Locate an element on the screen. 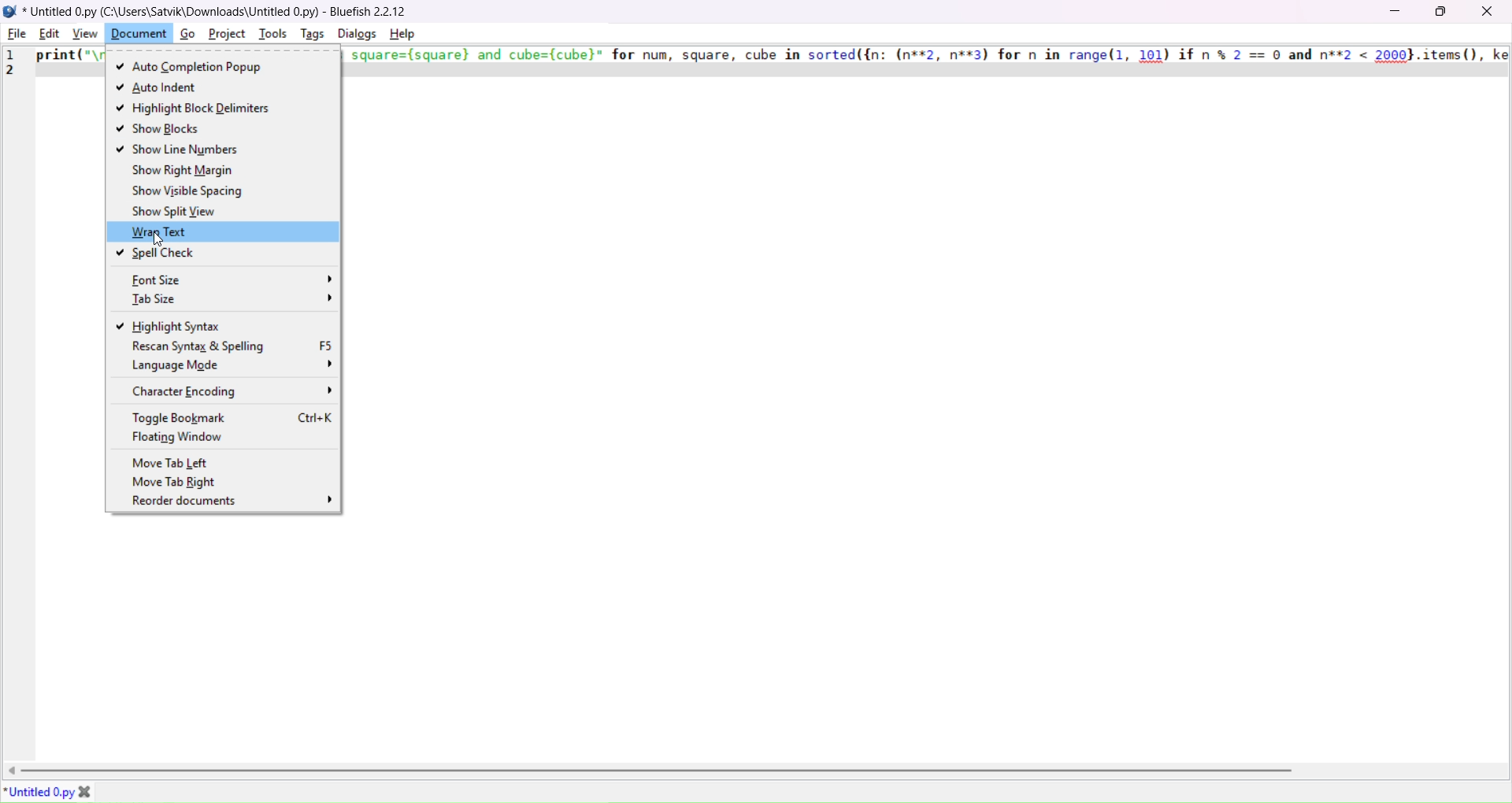 This screenshot has height=803, width=1512. show blocks is located at coordinates (156, 128).